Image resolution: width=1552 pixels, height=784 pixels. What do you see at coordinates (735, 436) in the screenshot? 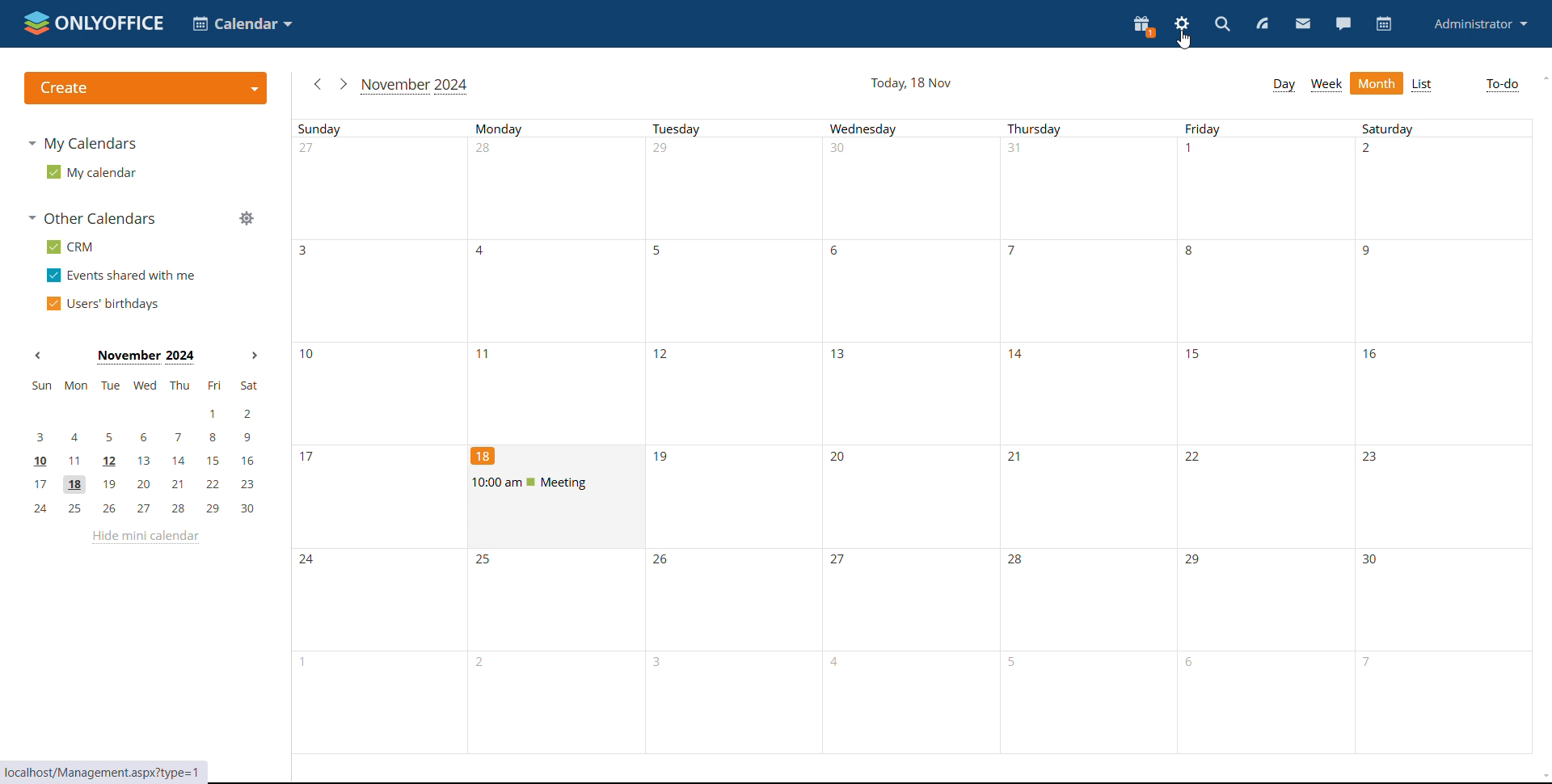
I see `Tuesday` at bounding box center [735, 436].